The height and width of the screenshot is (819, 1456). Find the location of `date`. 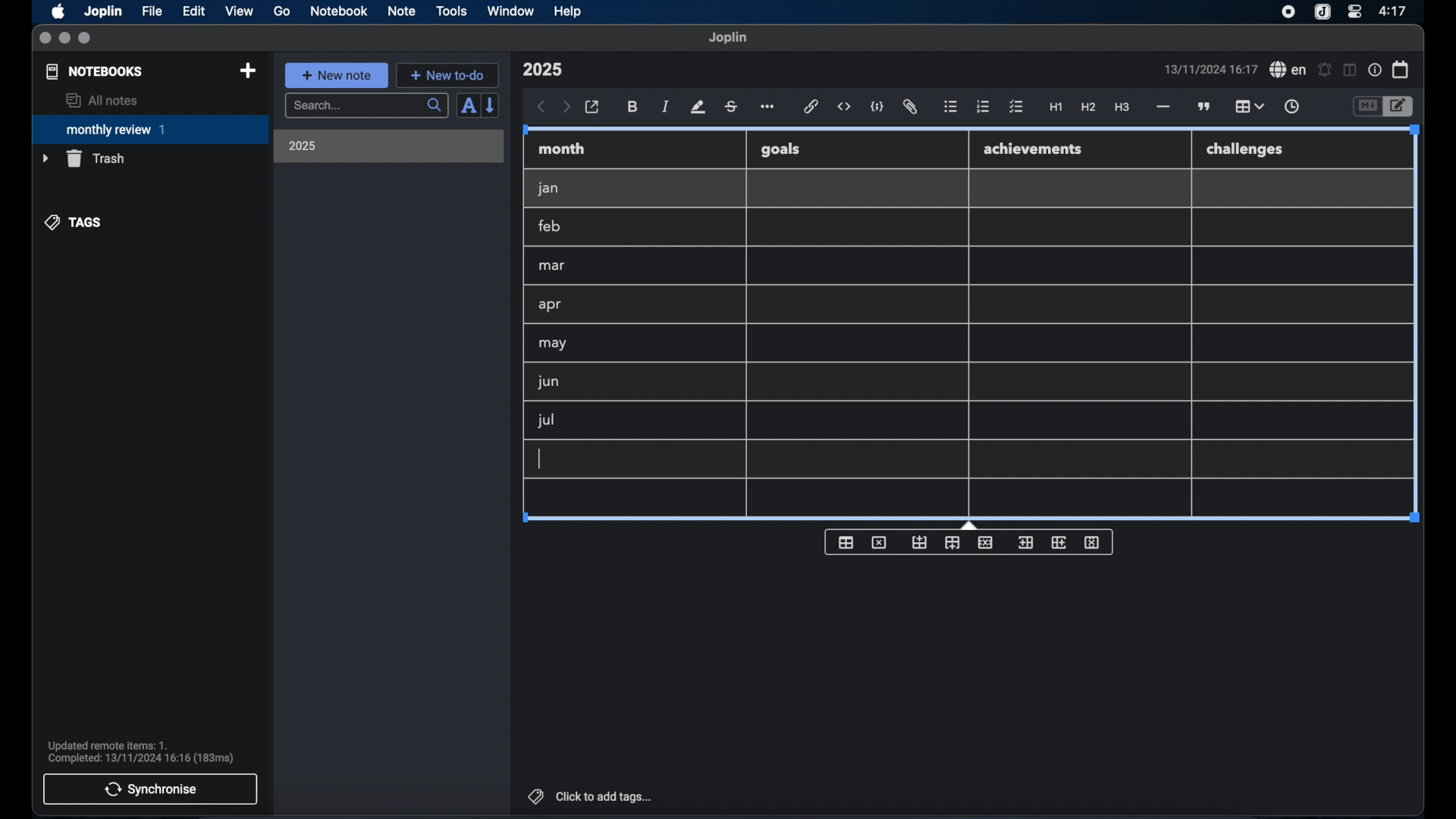

date is located at coordinates (1210, 69).